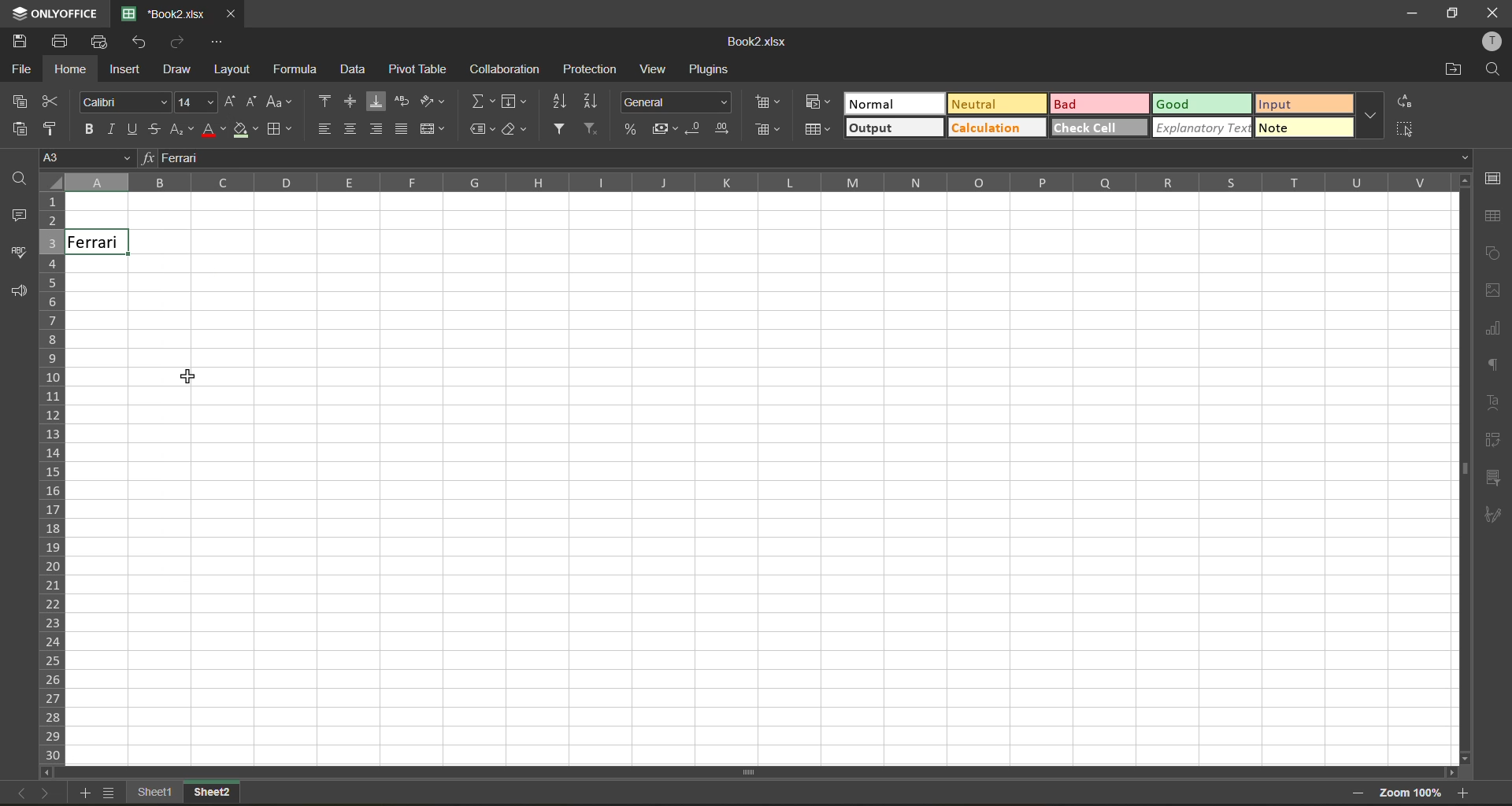 The width and height of the screenshot is (1512, 806). I want to click on delete cells, so click(772, 130).